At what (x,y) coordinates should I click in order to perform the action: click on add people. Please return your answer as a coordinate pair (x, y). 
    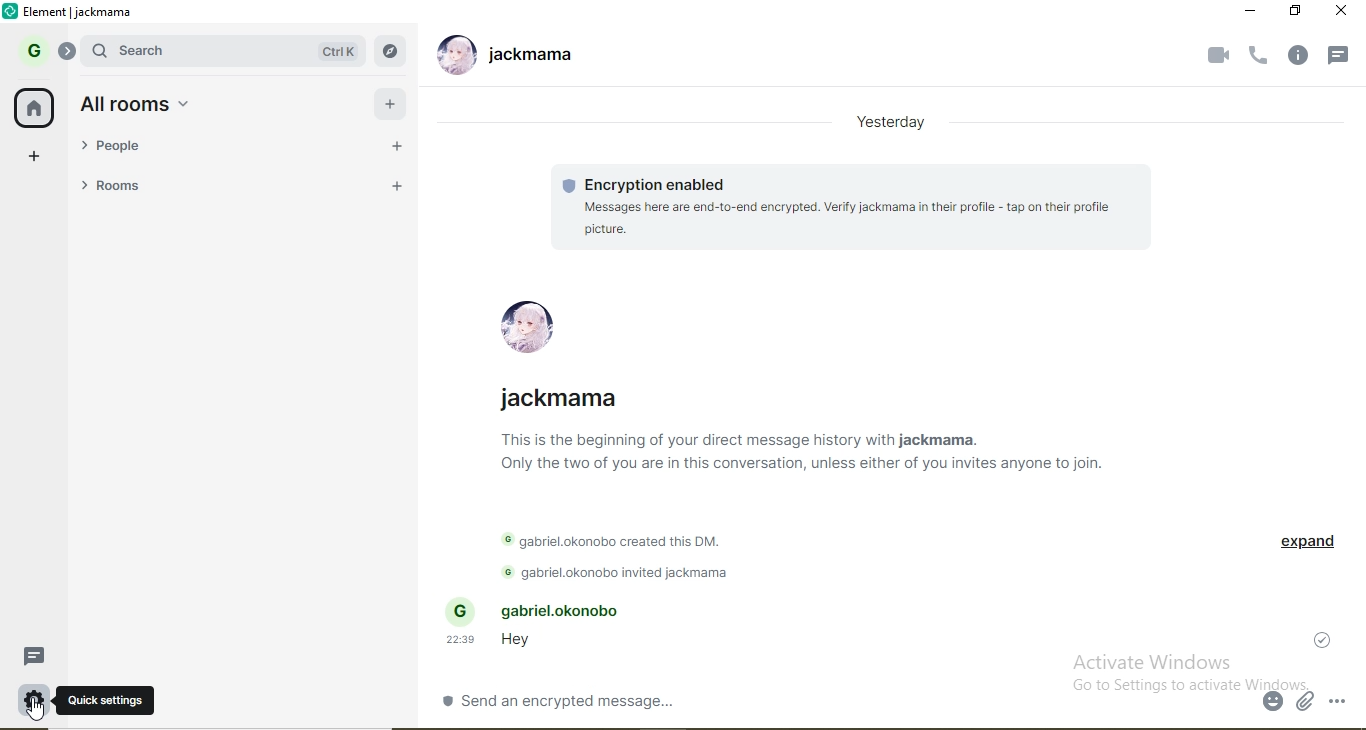
    Looking at the image, I should click on (398, 149).